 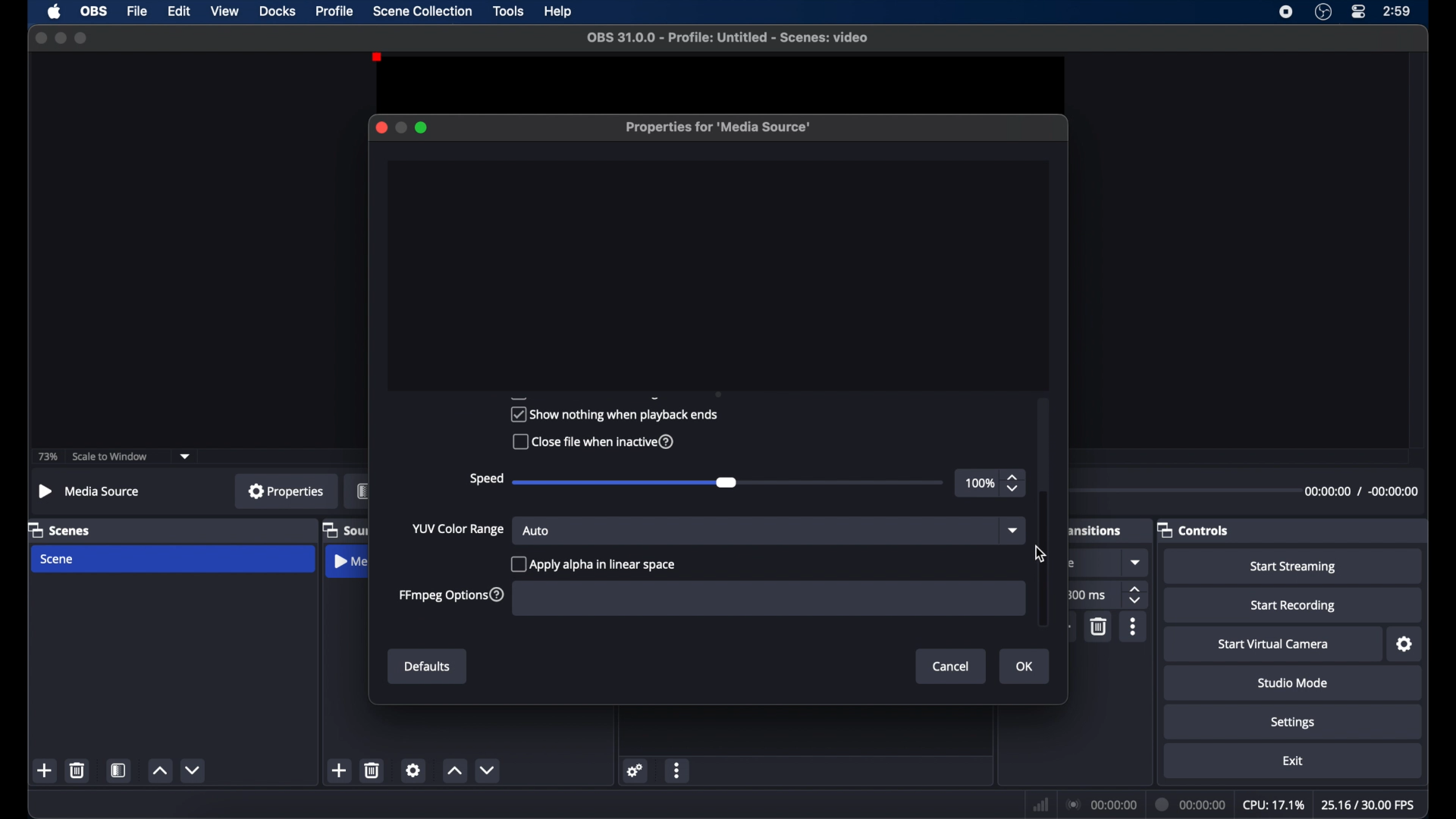 What do you see at coordinates (717, 127) in the screenshot?
I see `properties for media source` at bounding box center [717, 127].